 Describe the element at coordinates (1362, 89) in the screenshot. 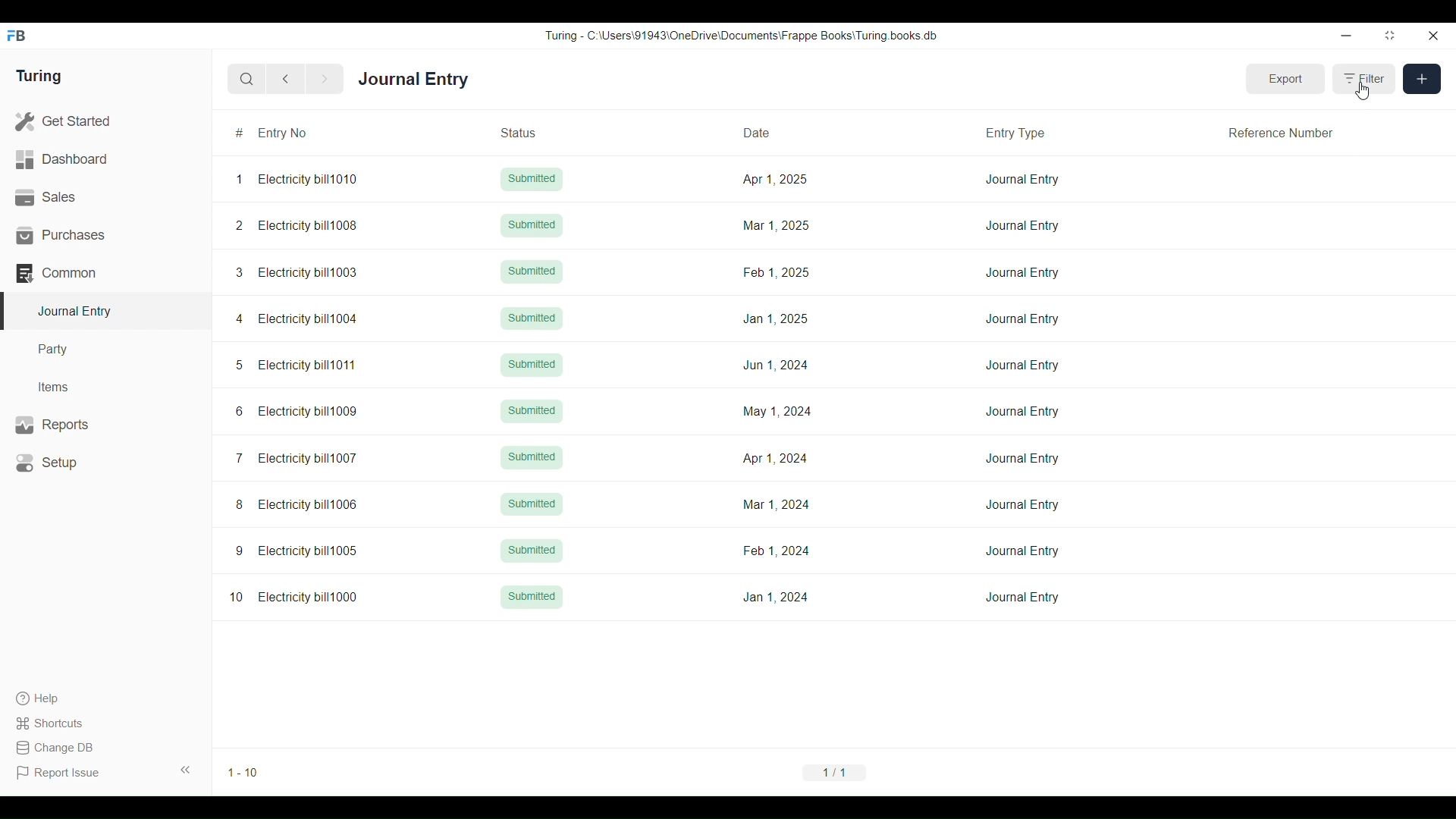

I see `Cursor` at that location.